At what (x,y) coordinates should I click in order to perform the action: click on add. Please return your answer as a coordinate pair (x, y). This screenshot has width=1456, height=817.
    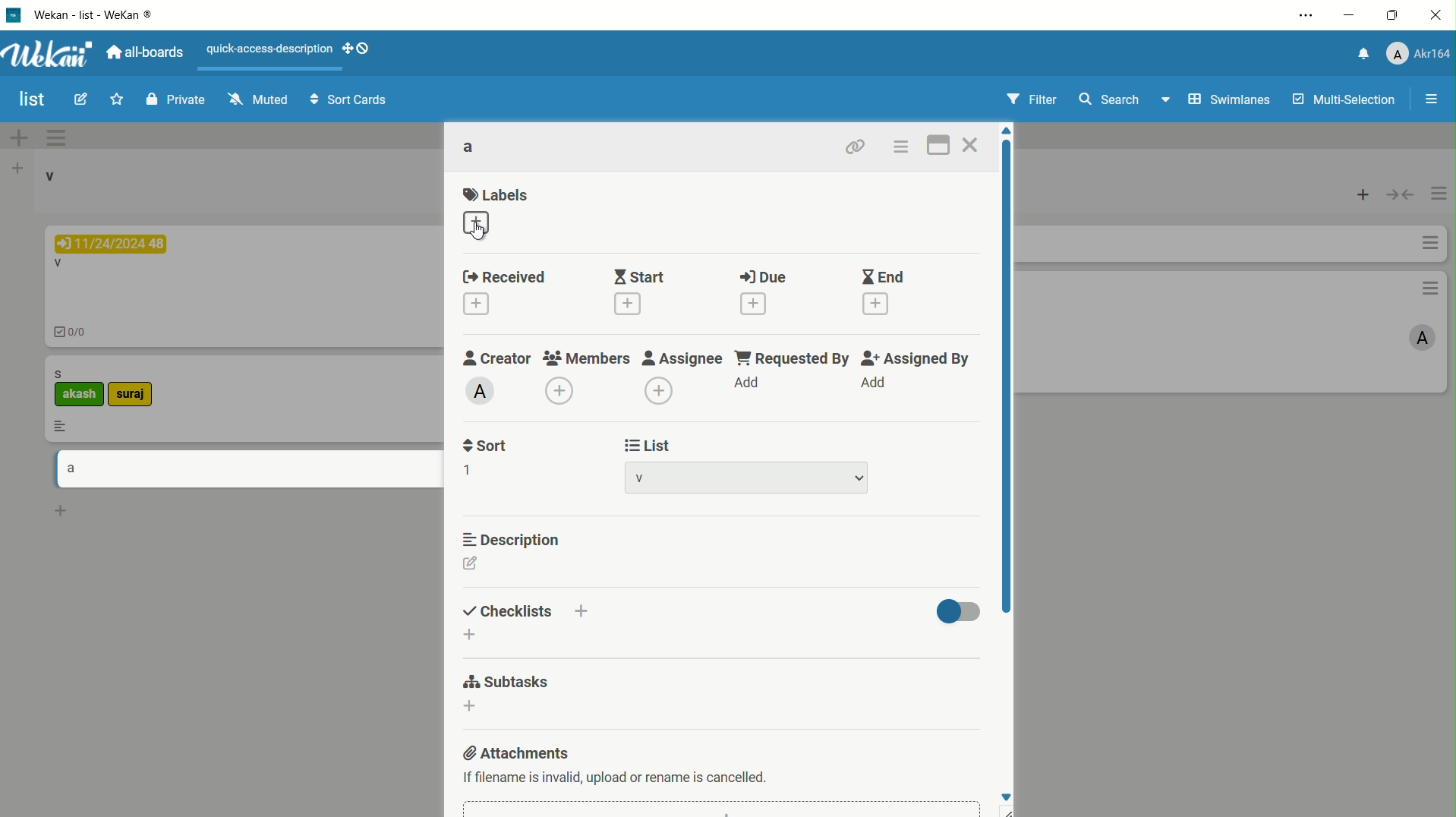
    Looking at the image, I should click on (1363, 195).